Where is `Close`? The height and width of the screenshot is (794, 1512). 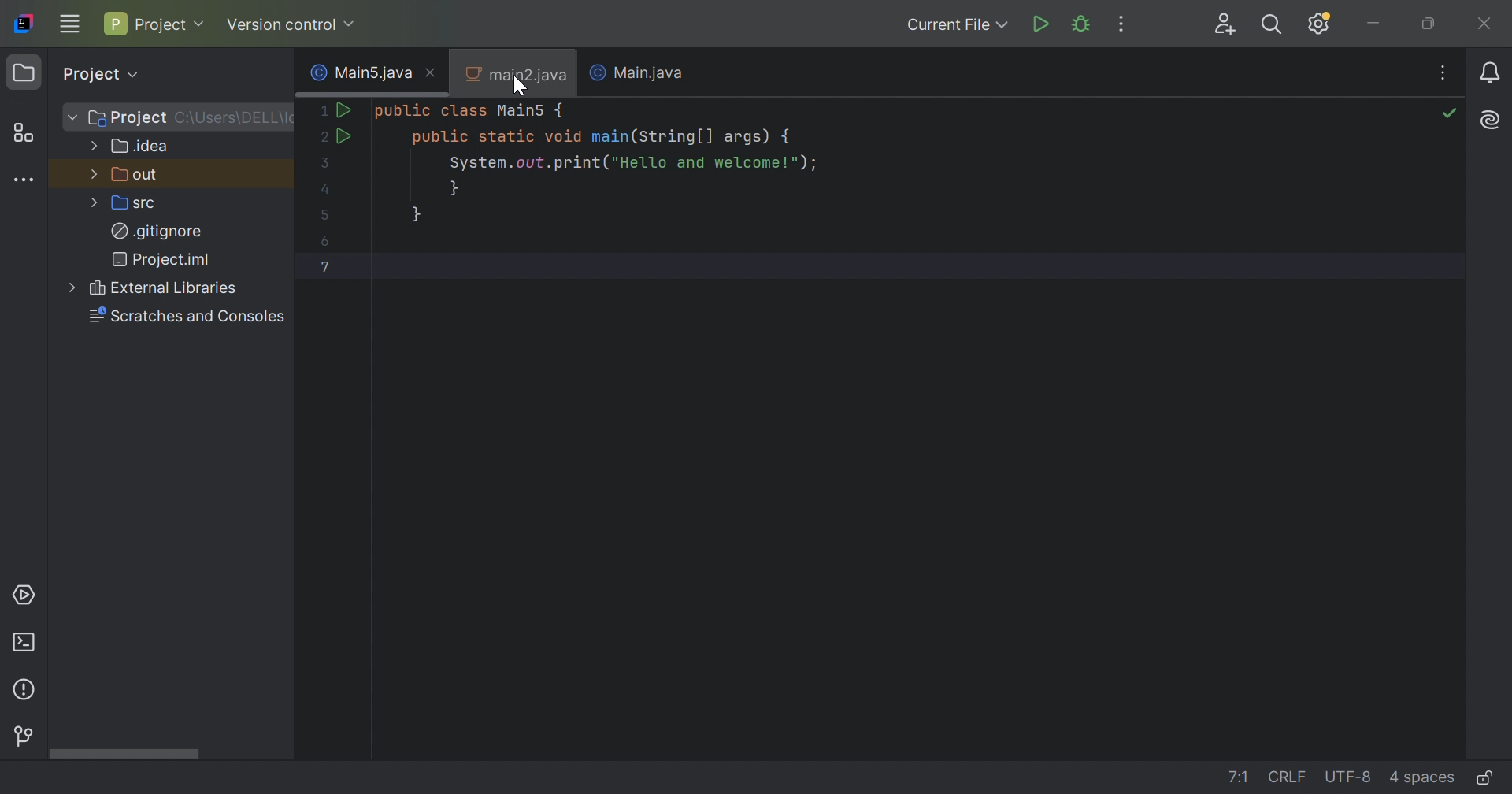
Close is located at coordinates (1486, 24).